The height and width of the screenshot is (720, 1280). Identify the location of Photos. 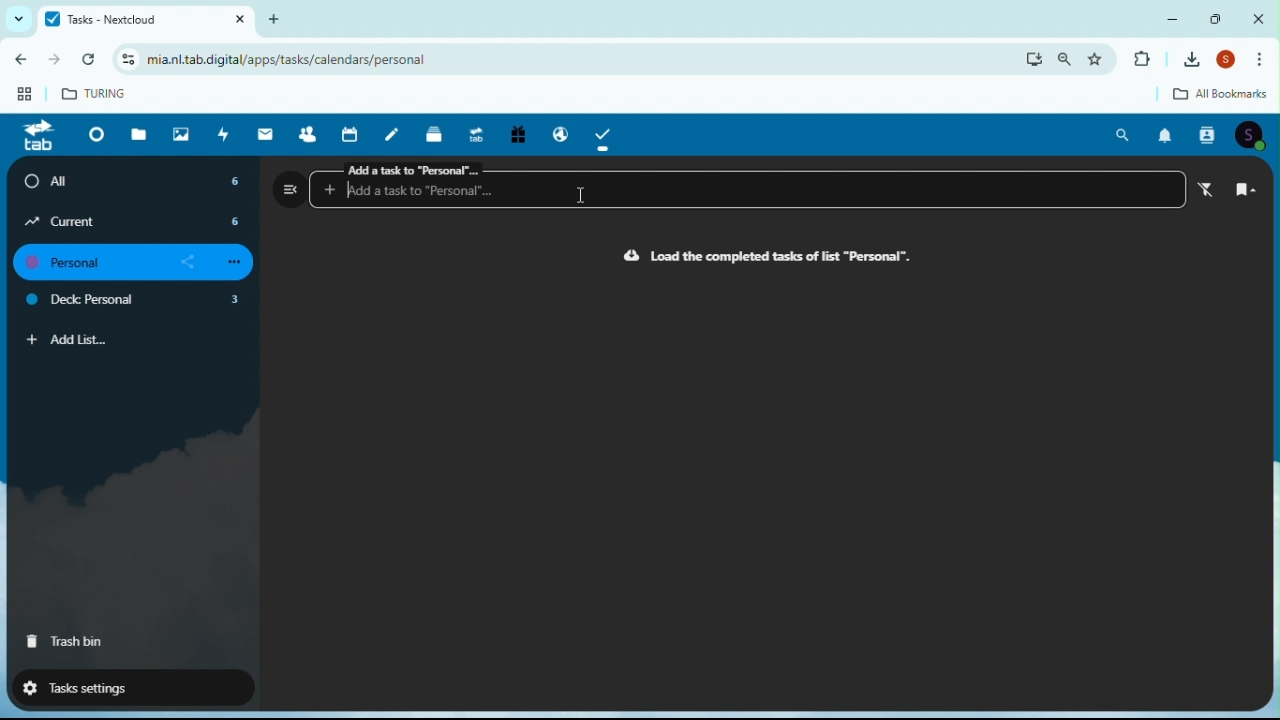
(181, 133).